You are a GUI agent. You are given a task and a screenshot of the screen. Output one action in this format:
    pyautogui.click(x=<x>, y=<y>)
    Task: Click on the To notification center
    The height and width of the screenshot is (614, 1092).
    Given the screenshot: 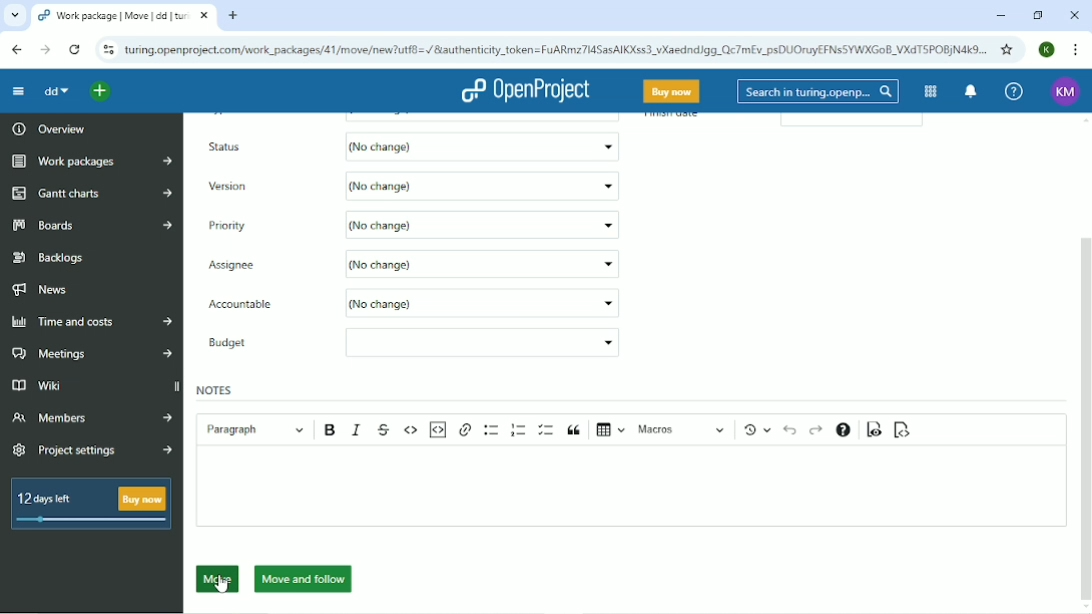 What is the action you would take?
    pyautogui.click(x=968, y=91)
    